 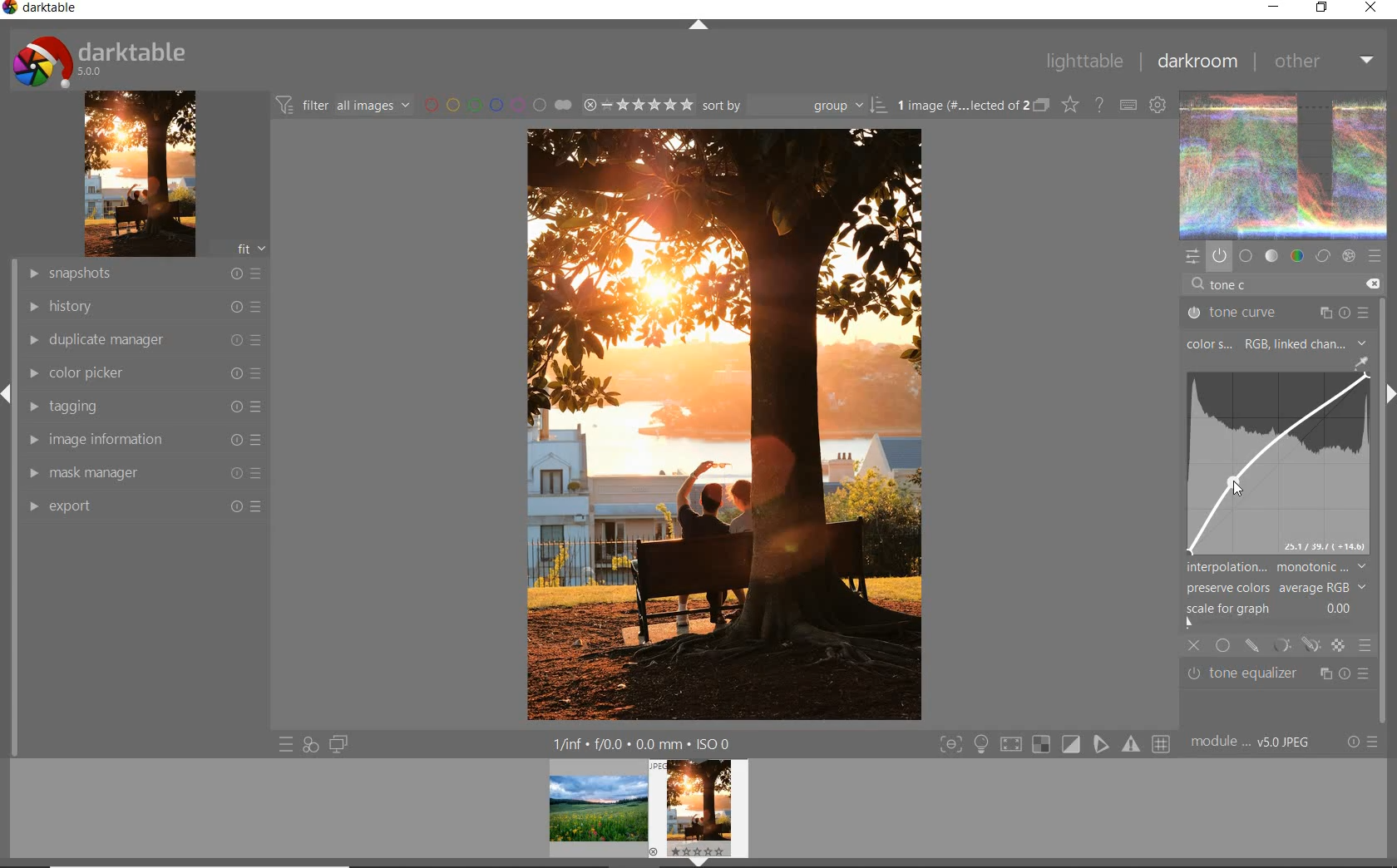 What do you see at coordinates (140, 174) in the screenshot?
I see `image` at bounding box center [140, 174].